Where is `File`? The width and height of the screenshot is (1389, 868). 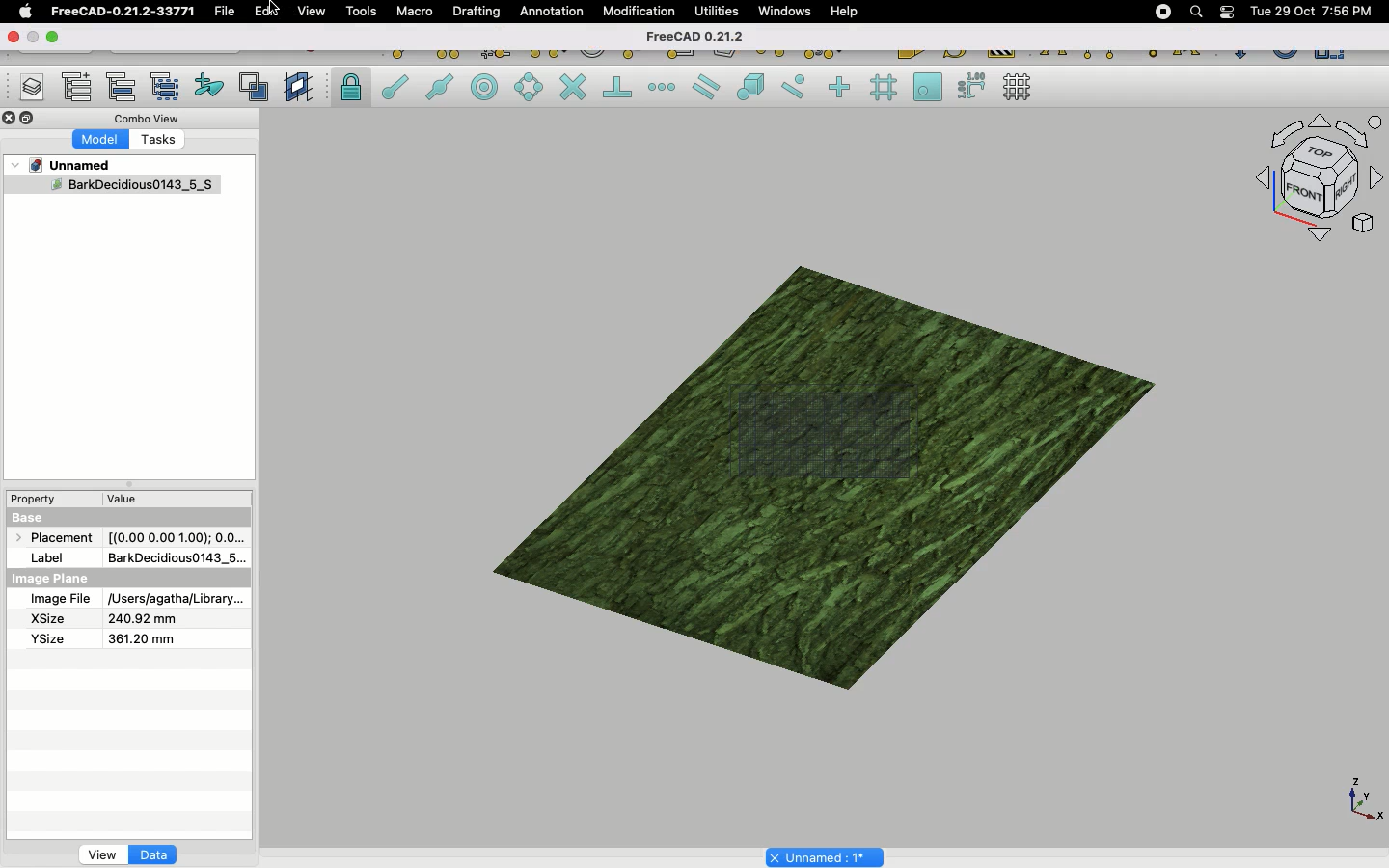
File is located at coordinates (225, 12).